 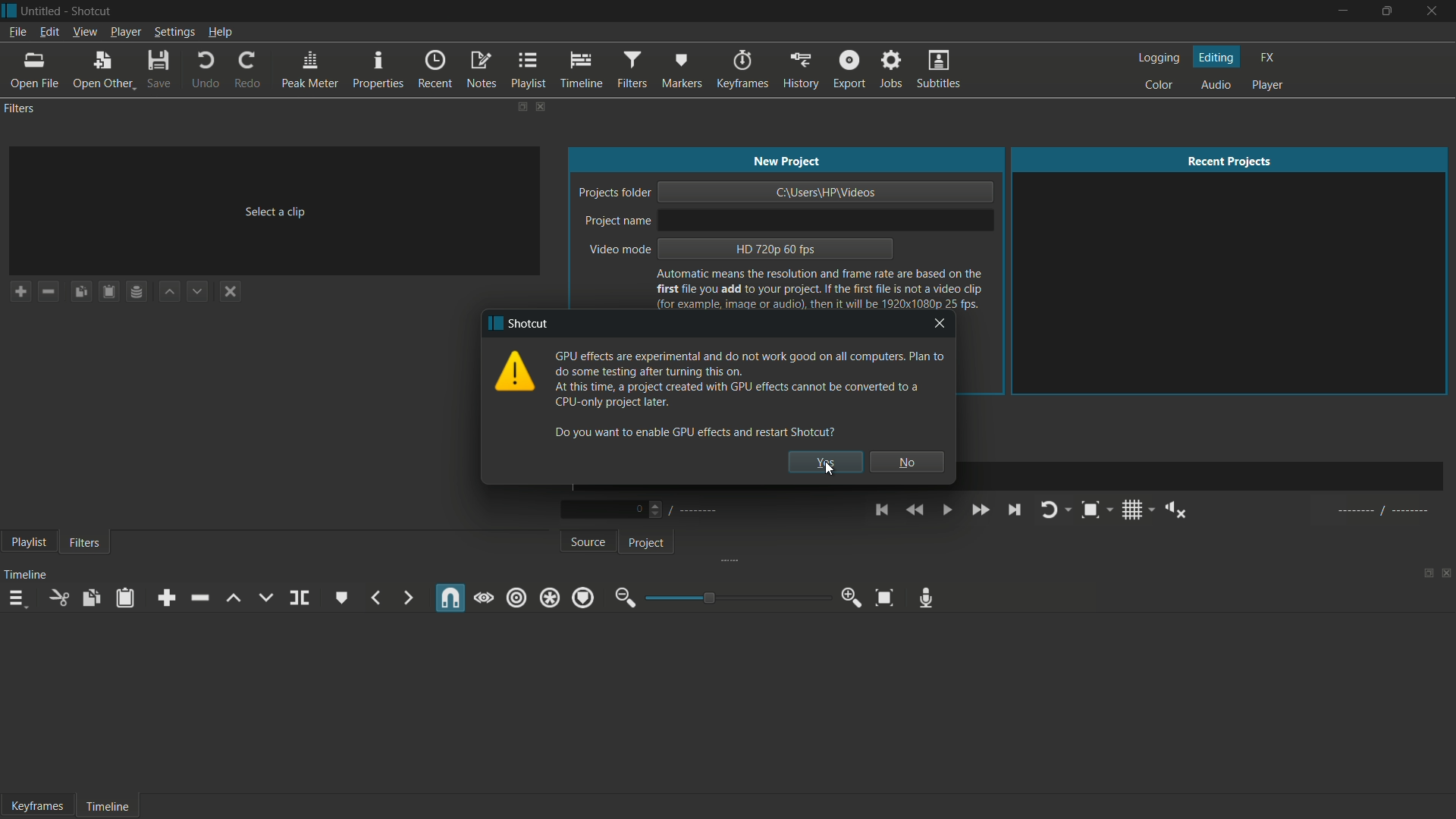 What do you see at coordinates (940, 323) in the screenshot?
I see `close` at bounding box center [940, 323].